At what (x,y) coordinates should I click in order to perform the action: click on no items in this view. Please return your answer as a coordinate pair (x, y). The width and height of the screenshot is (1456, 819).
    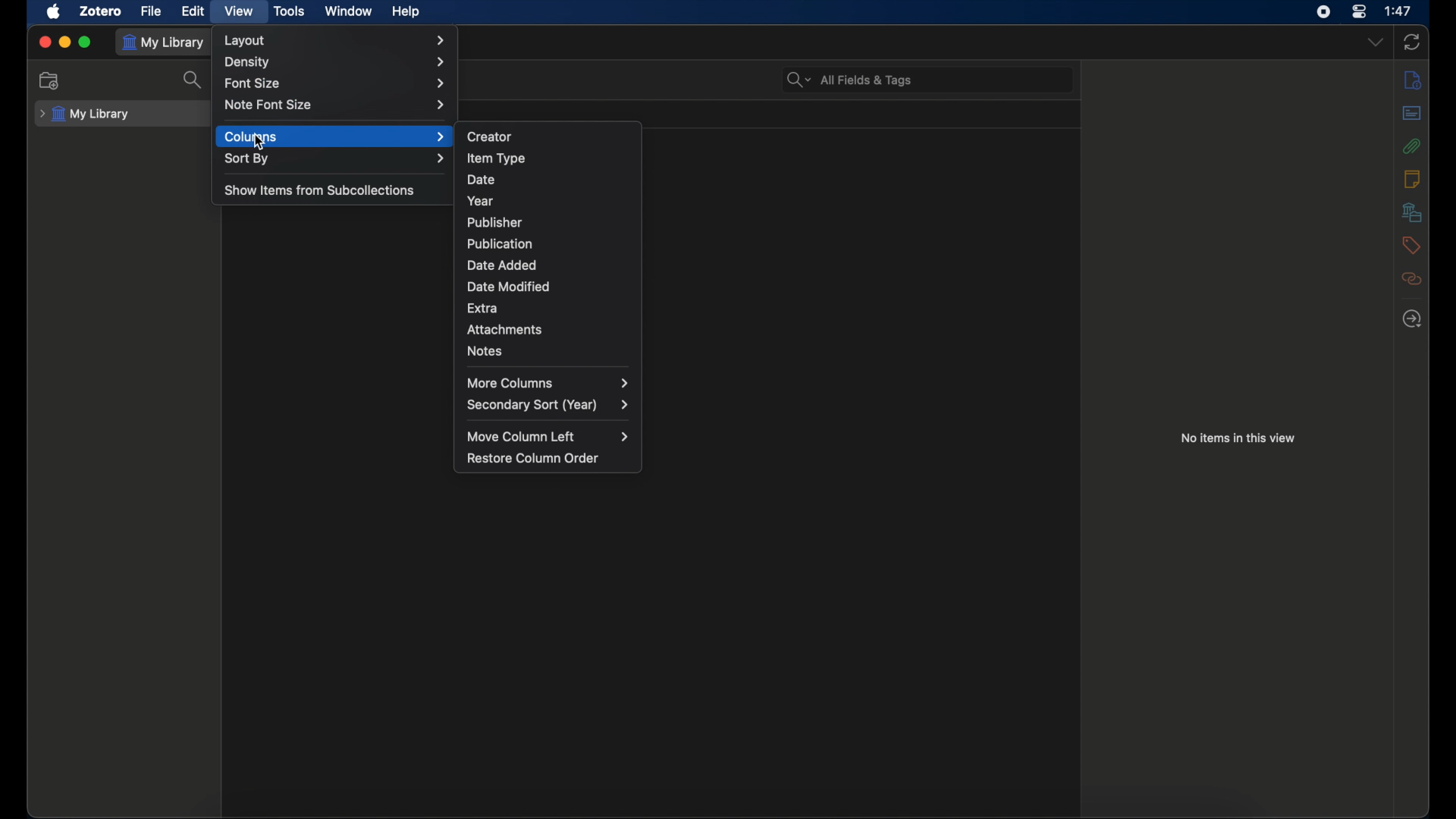
    Looking at the image, I should click on (1238, 438).